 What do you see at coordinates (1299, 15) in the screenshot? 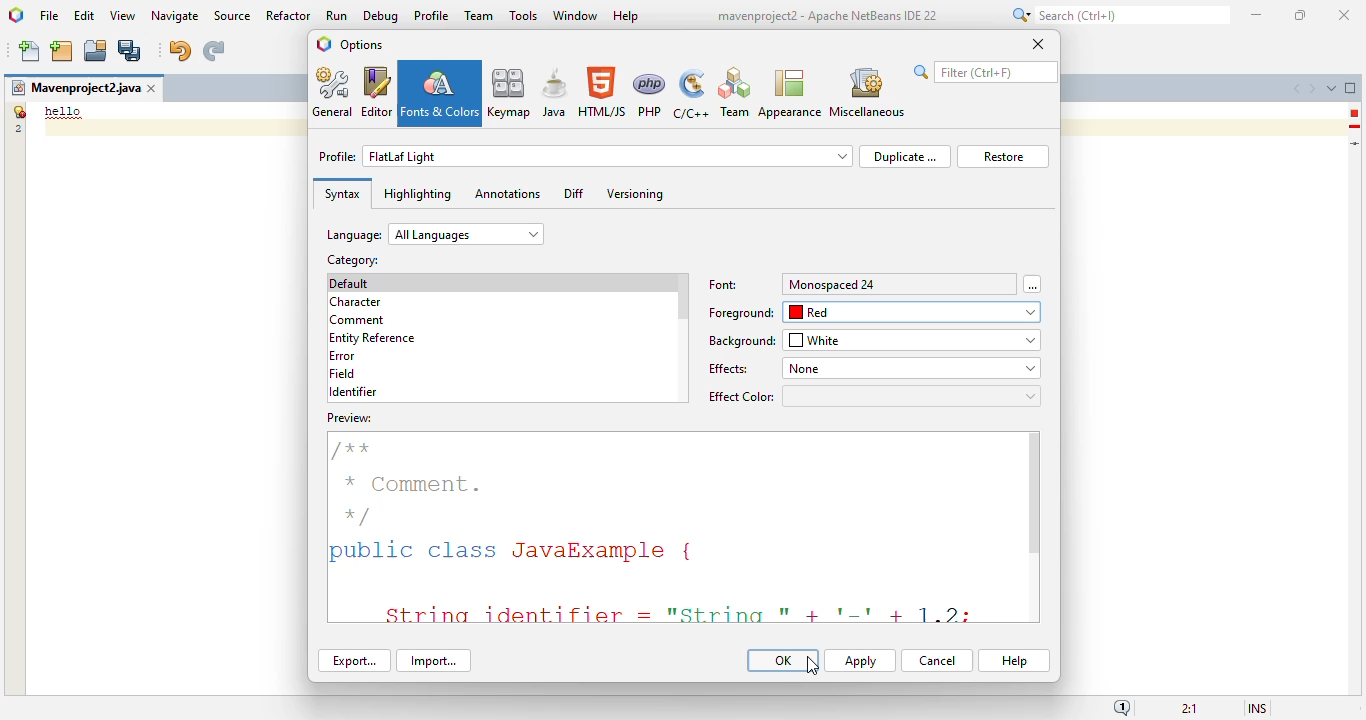
I see `maximize` at bounding box center [1299, 15].